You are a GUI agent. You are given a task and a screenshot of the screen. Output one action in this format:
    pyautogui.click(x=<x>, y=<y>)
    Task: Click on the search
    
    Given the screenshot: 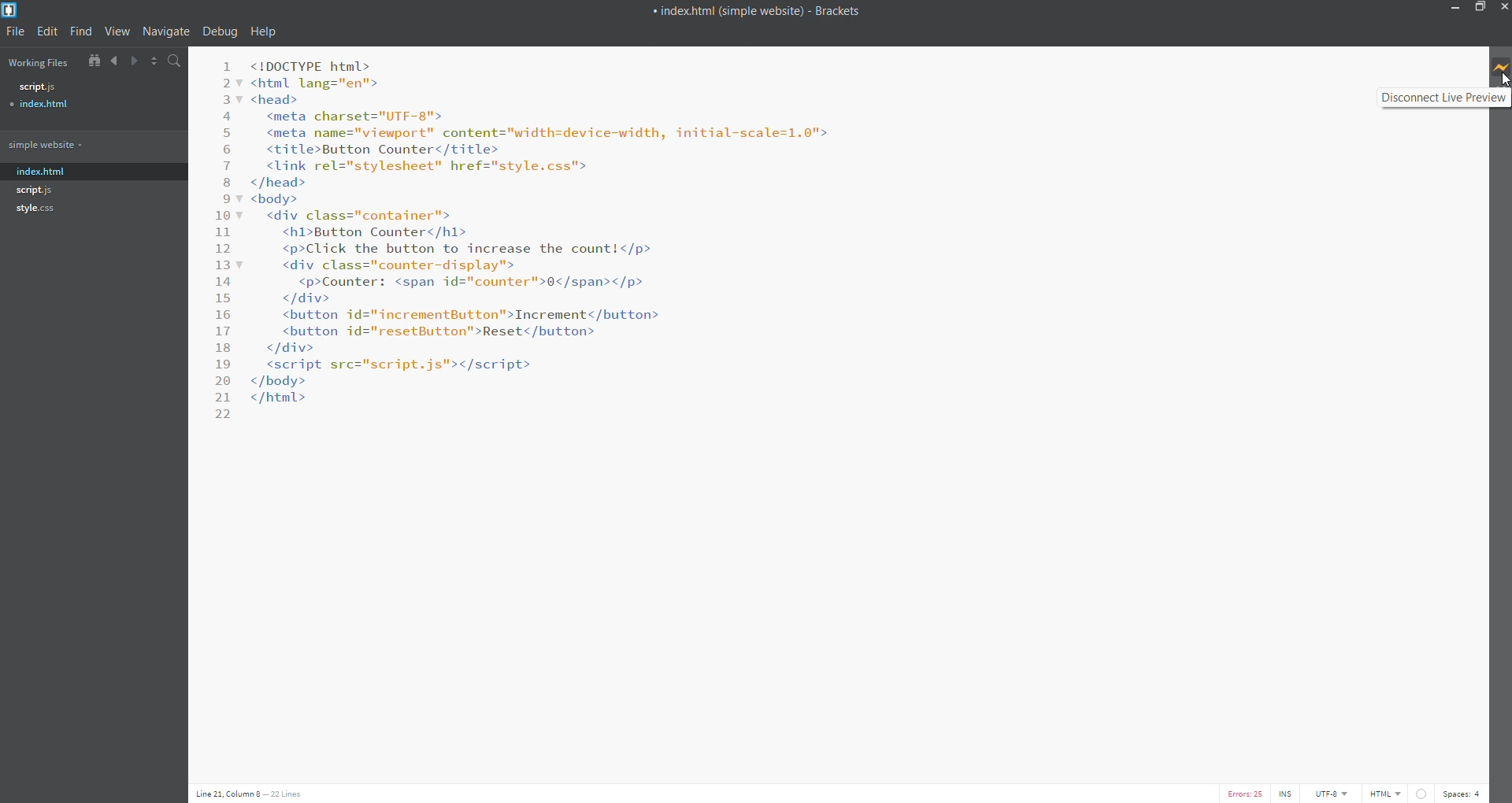 What is the action you would take?
    pyautogui.click(x=176, y=60)
    